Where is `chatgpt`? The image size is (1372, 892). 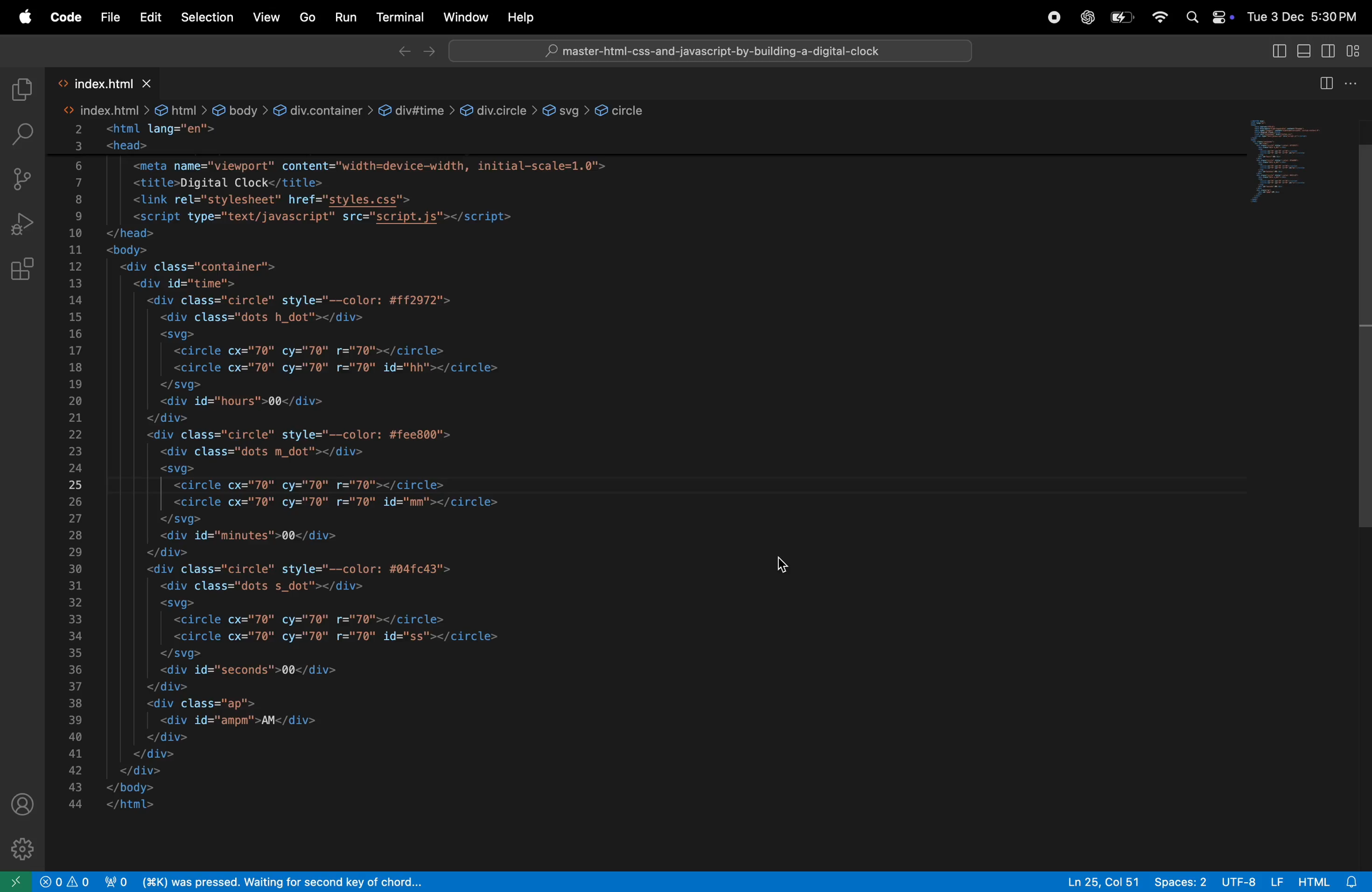
chatgpt is located at coordinates (1087, 16).